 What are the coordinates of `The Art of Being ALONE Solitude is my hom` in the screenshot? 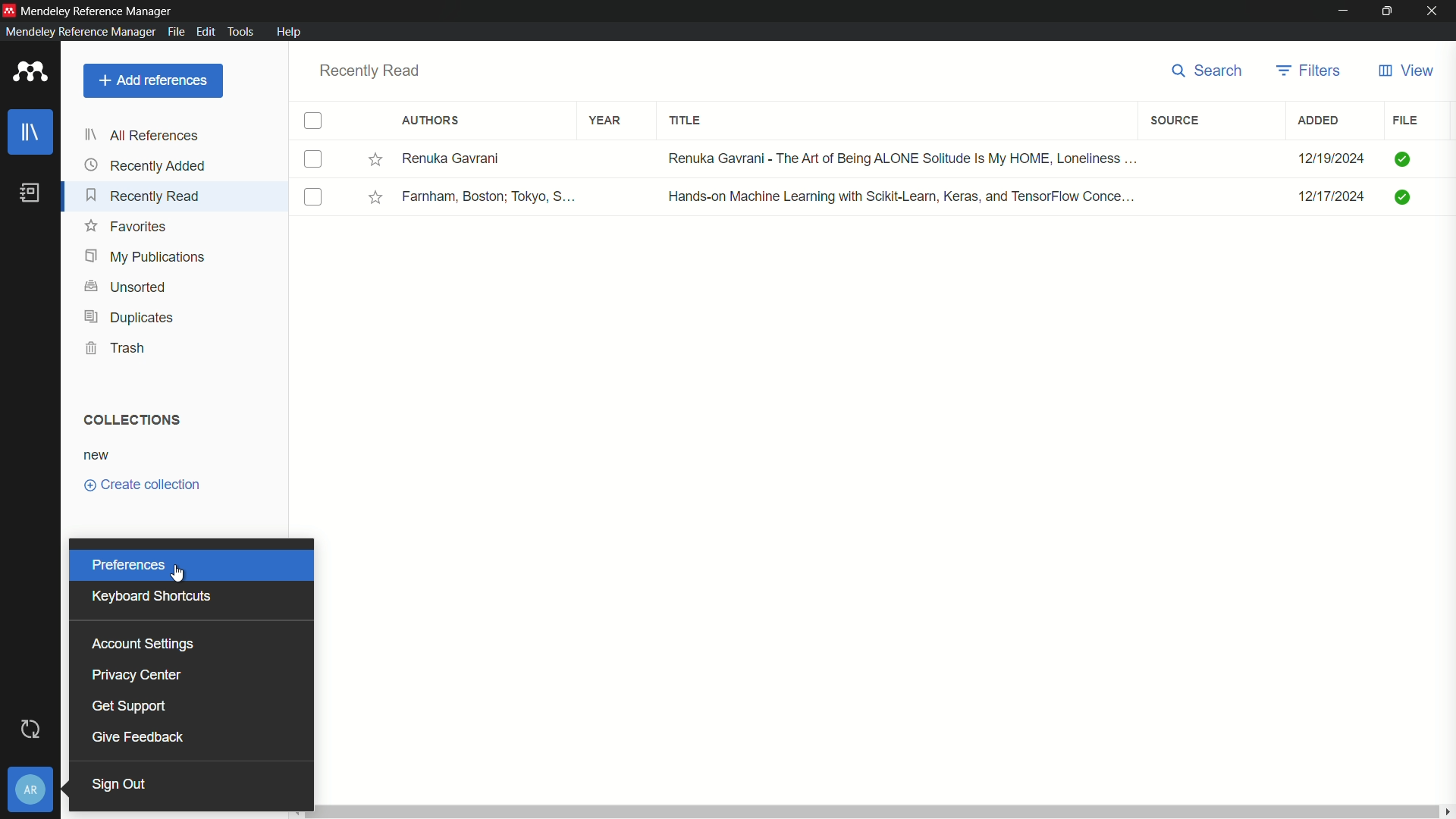 It's located at (901, 159).